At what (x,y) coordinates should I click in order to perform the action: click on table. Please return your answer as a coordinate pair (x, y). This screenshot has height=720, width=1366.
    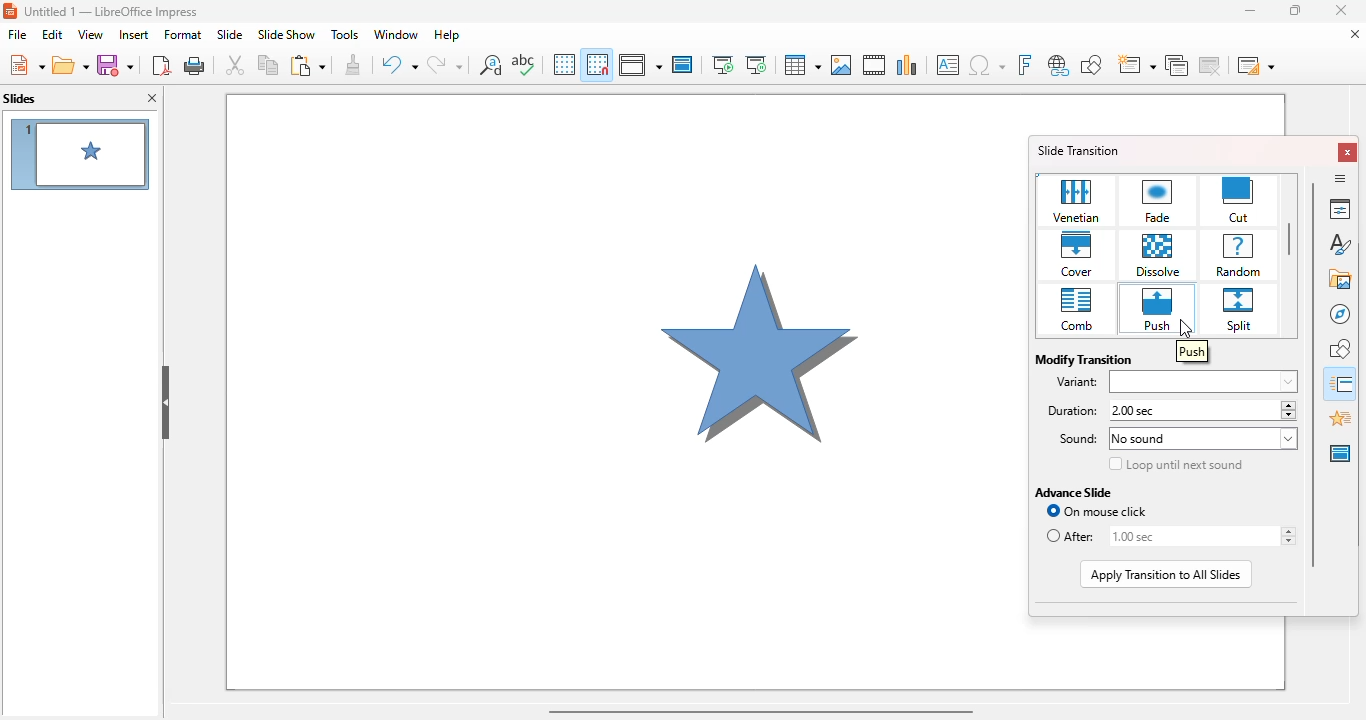
    Looking at the image, I should click on (801, 64).